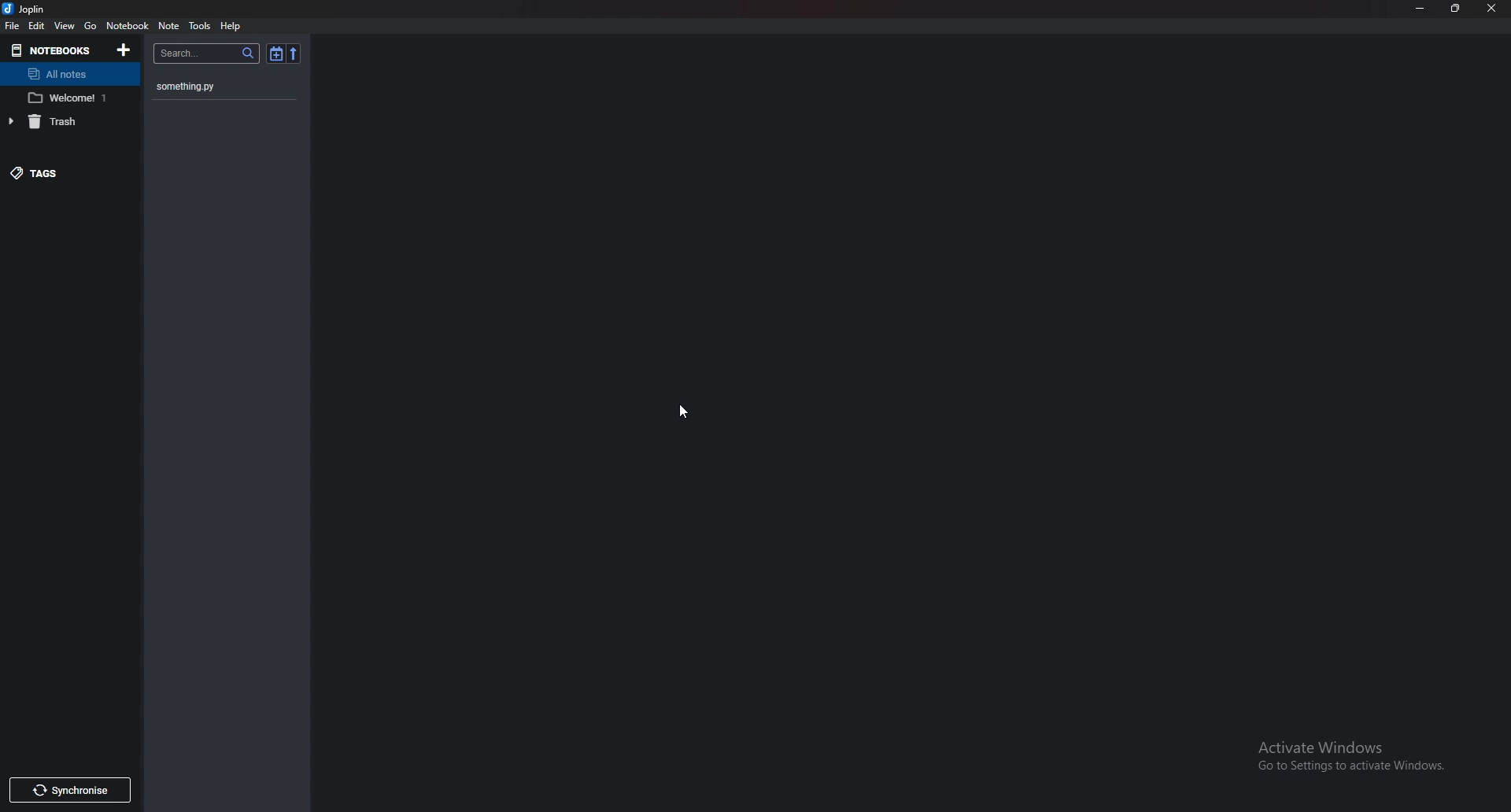 This screenshot has width=1511, height=812. I want to click on Trash, so click(62, 120).